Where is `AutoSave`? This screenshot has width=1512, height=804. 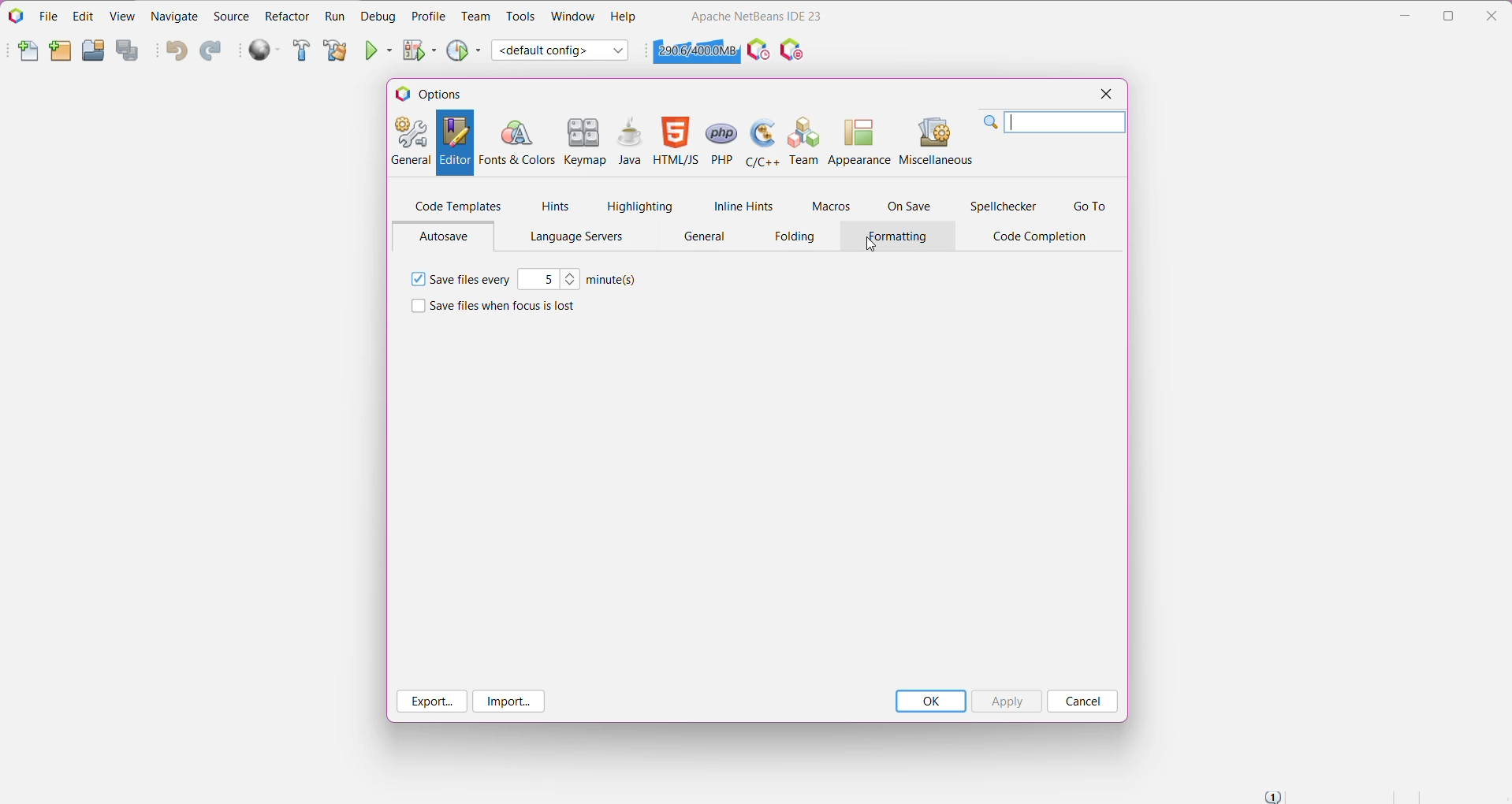 AutoSave is located at coordinates (448, 236).